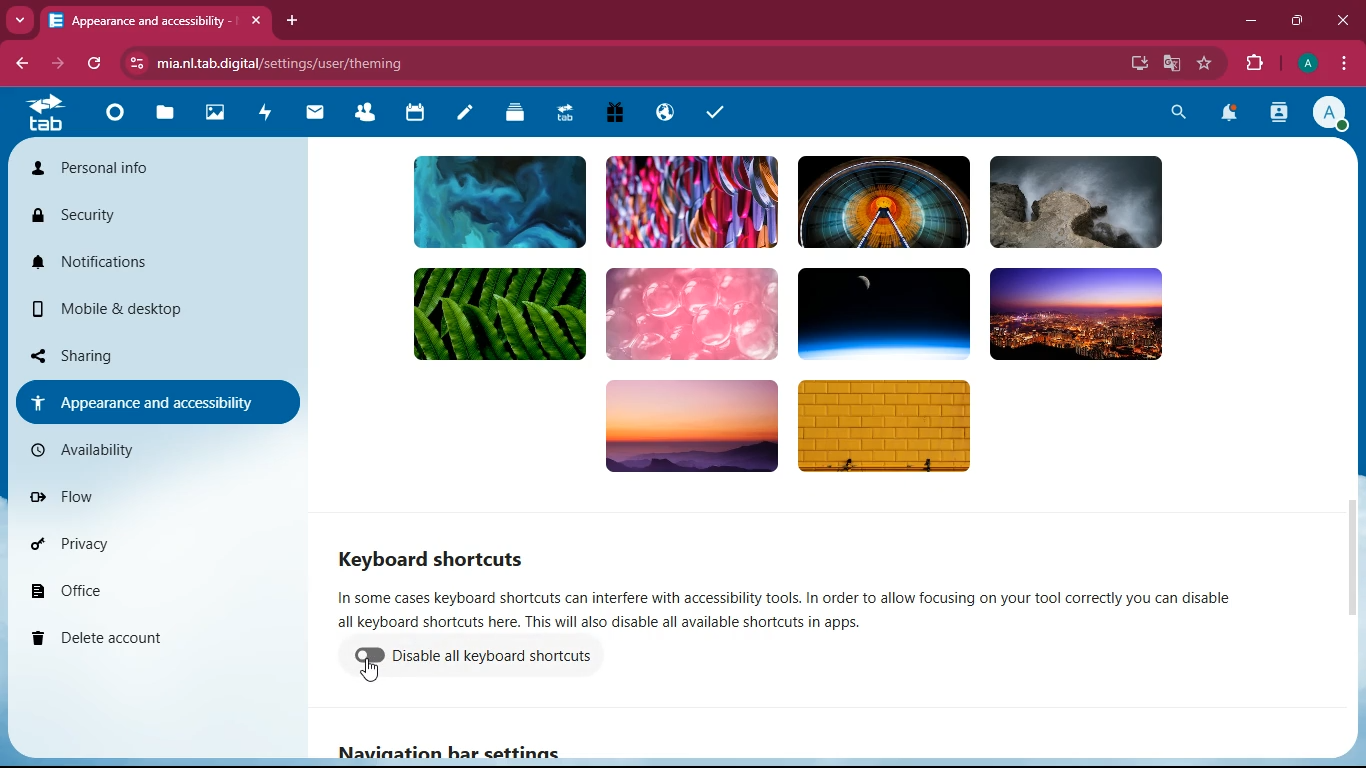 The width and height of the screenshot is (1366, 768). What do you see at coordinates (1326, 112) in the screenshot?
I see `profile` at bounding box center [1326, 112].